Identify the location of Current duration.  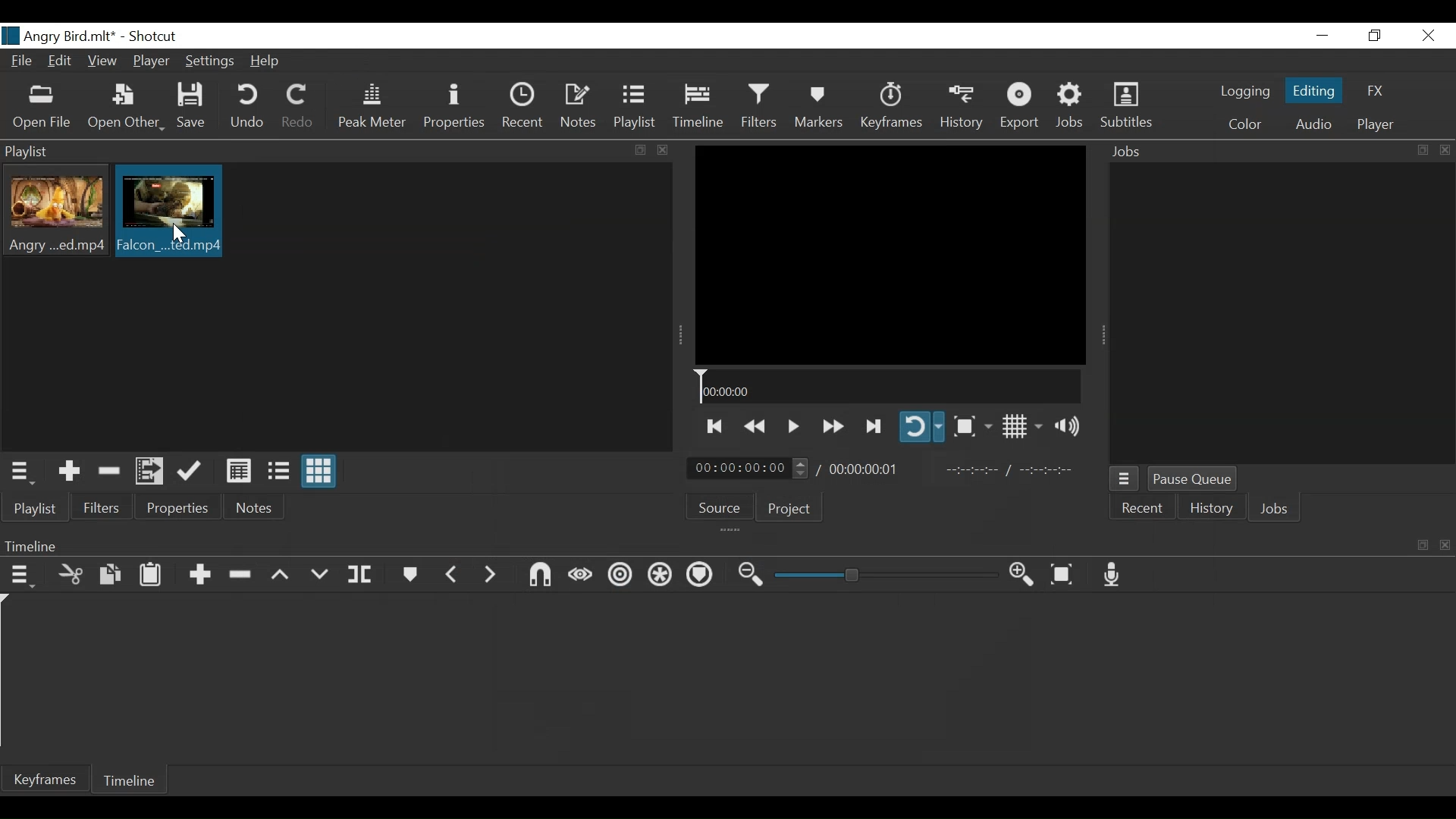
(749, 469).